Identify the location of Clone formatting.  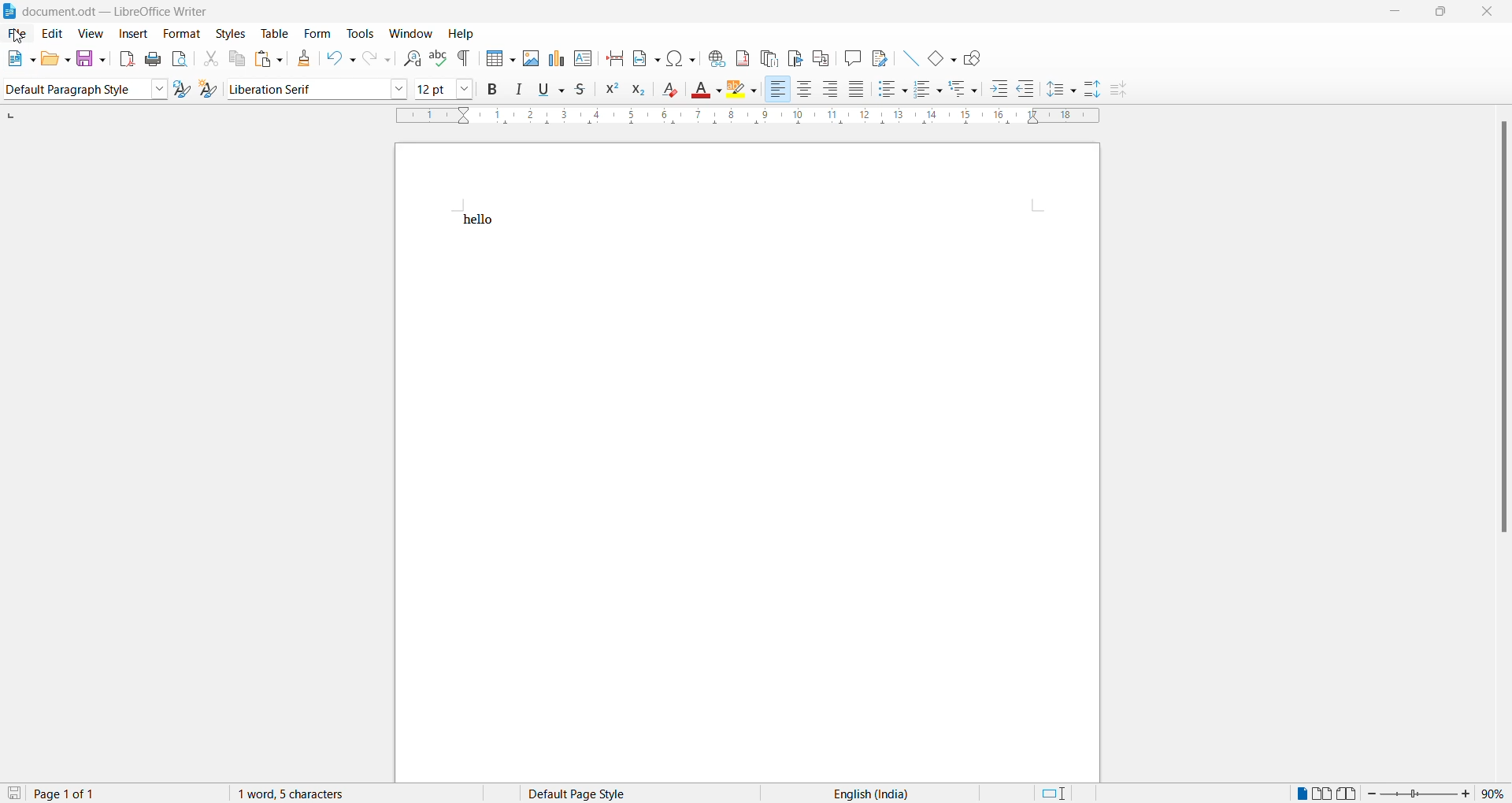
(300, 58).